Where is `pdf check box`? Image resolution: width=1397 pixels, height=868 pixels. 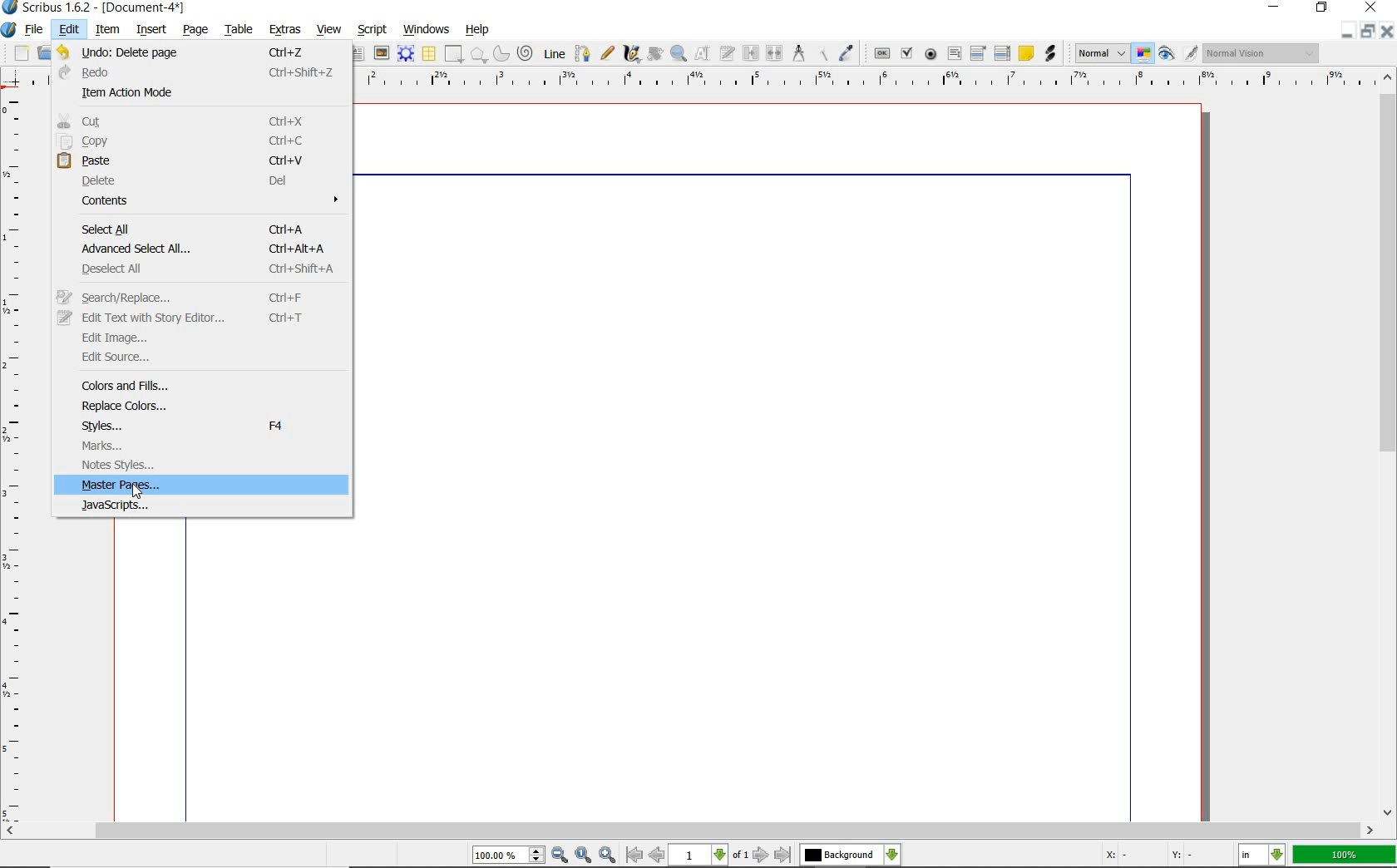 pdf check box is located at coordinates (906, 53).